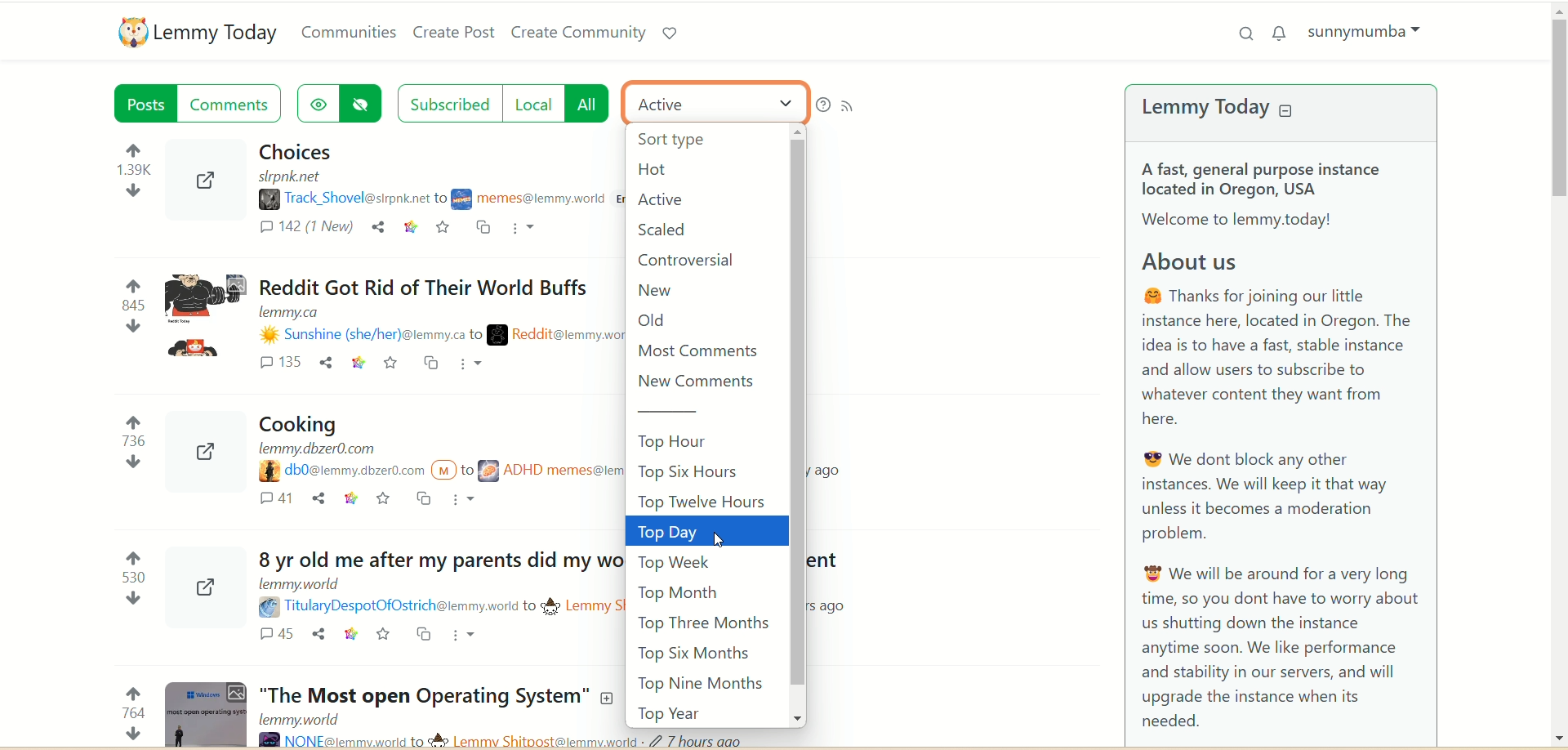 This screenshot has width=1568, height=750. What do you see at coordinates (448, 101) in the screenshot?
I see `subscribed` at bounding box center [448, 101].